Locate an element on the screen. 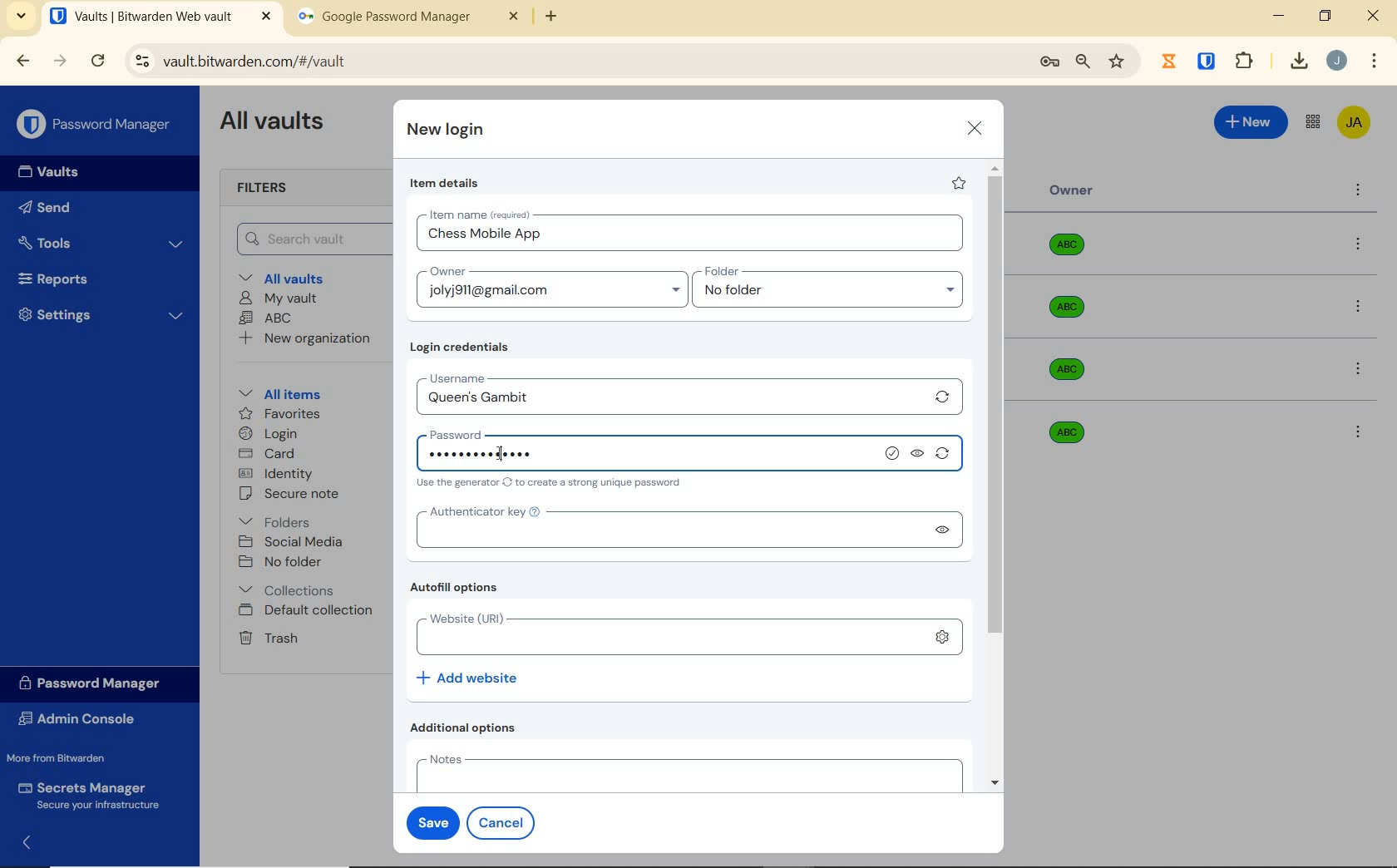  New login is located at coordinates (447, 131).